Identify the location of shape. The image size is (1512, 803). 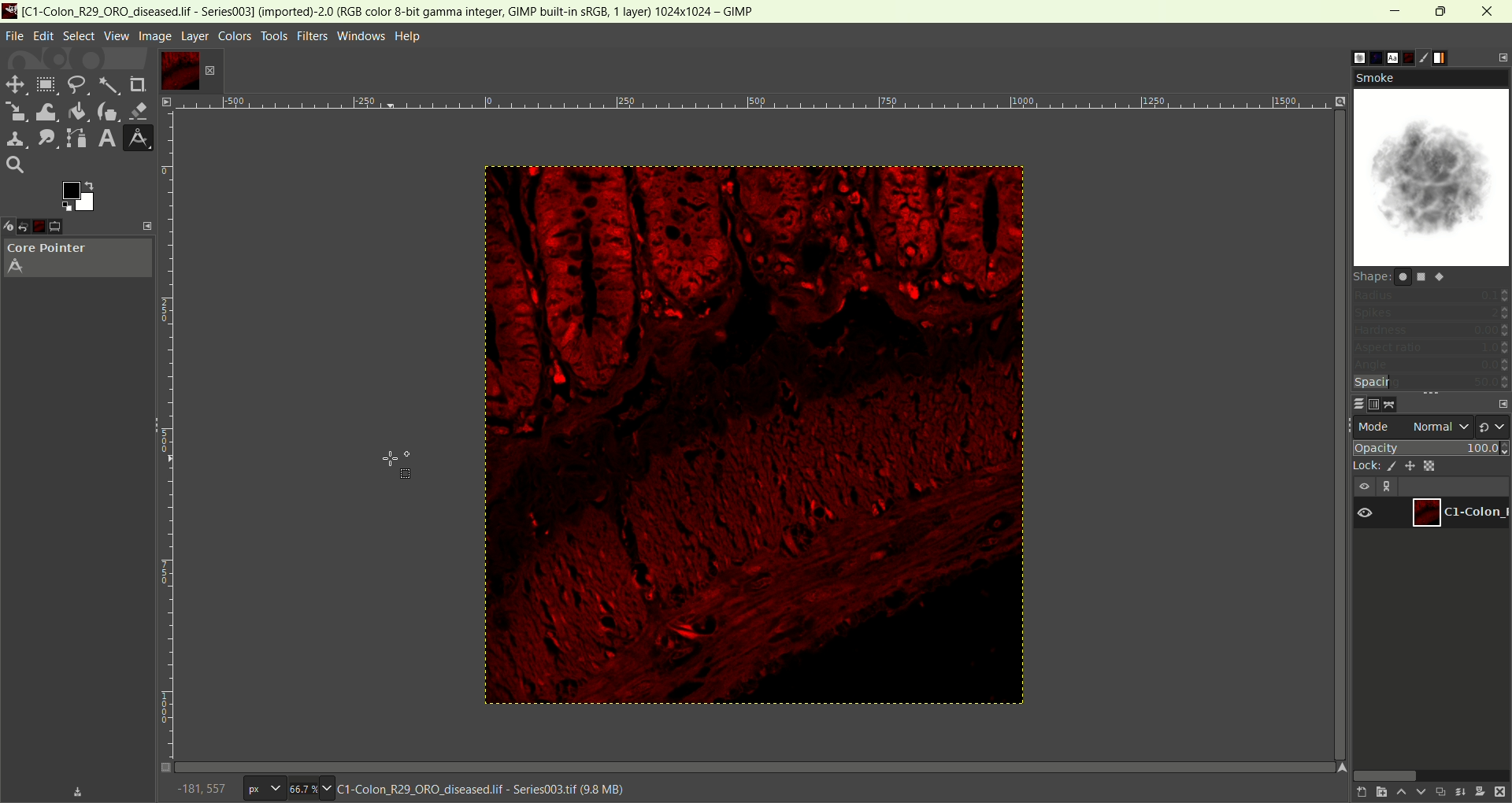
(1403, 276).